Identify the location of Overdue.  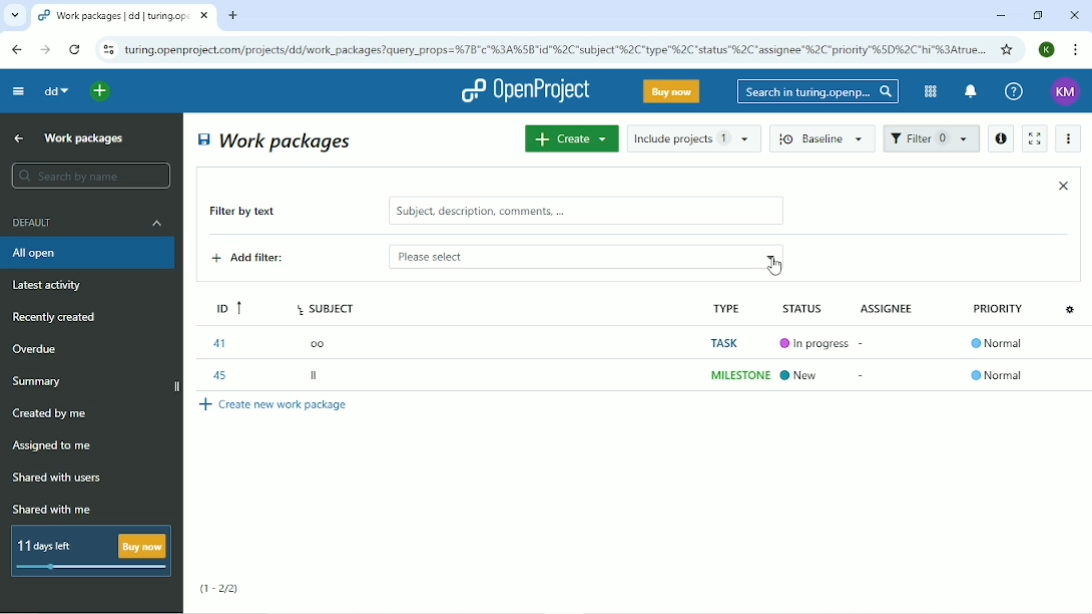
(37, 350).